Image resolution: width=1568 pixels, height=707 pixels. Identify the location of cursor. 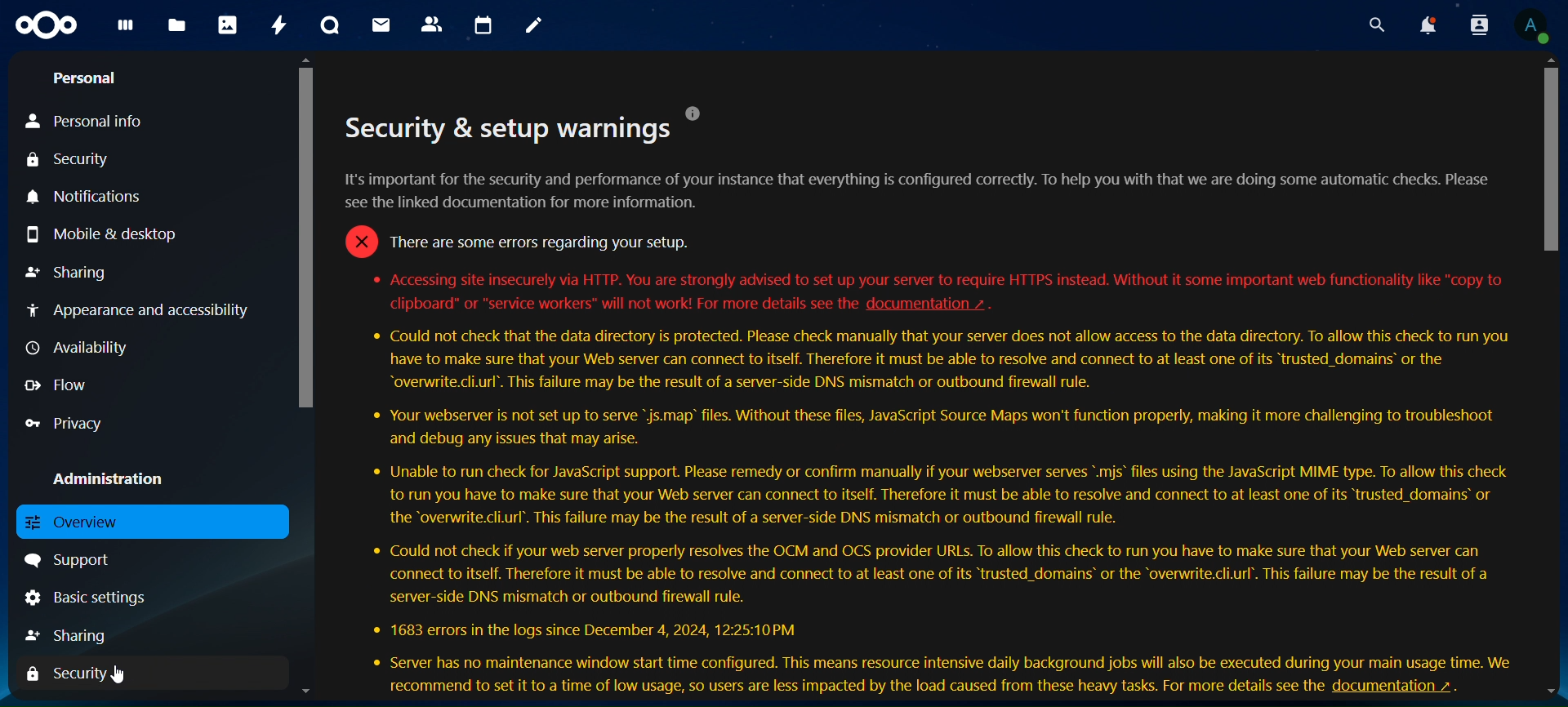
(117, 672).